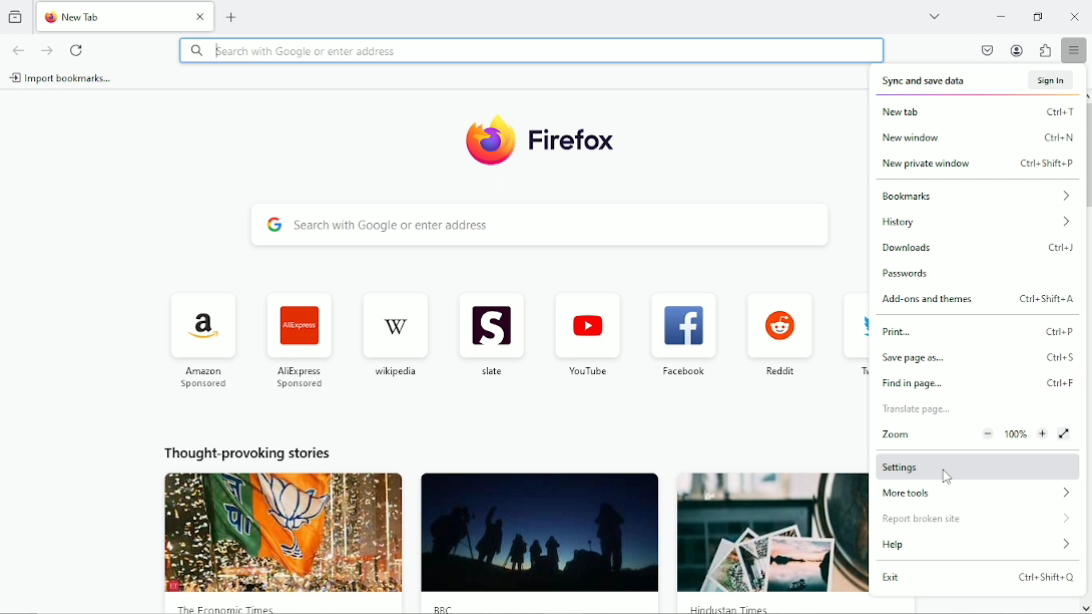  Describe the element at coordinates (979, 385) in the screenshot. I see `find in page` at that location.